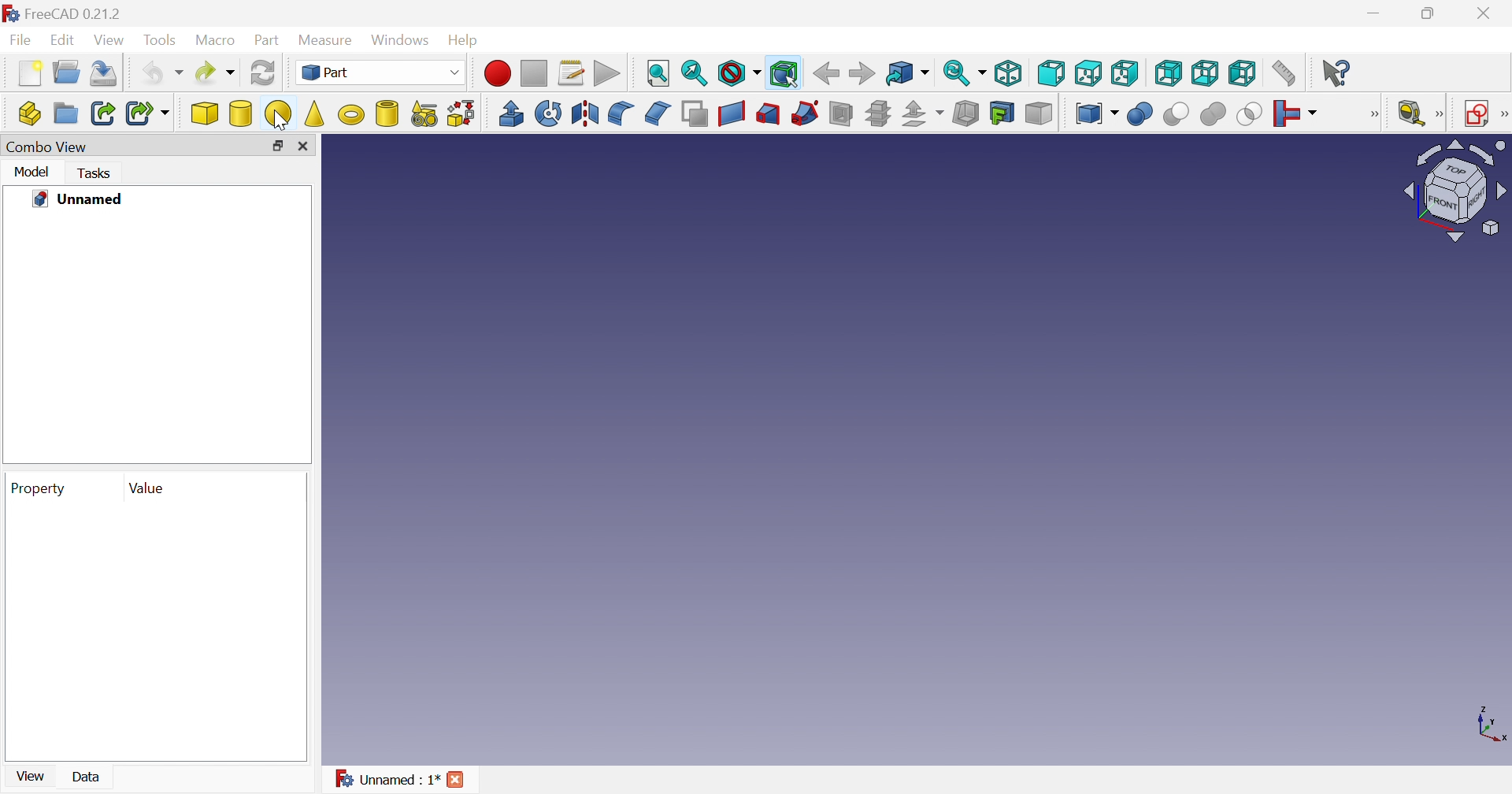 Image resolution: width=1512 pixels, height=794 pixels. I want to click on Help, so click(465, 40).